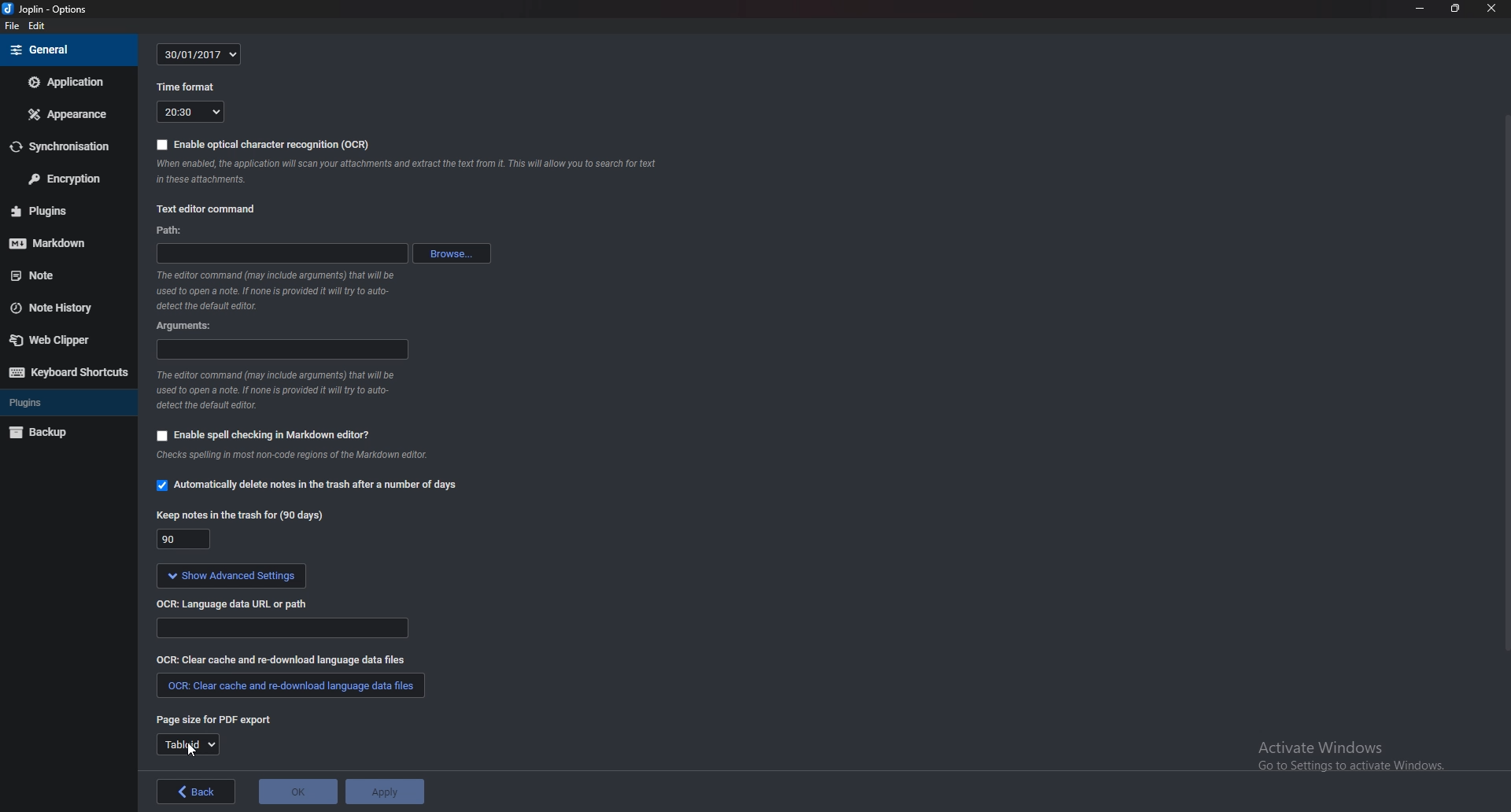 This screenshot has width=1511, height=812. Describe the element at coordinates (1453, 9) in the screenshot. I see `Resize` at that location.